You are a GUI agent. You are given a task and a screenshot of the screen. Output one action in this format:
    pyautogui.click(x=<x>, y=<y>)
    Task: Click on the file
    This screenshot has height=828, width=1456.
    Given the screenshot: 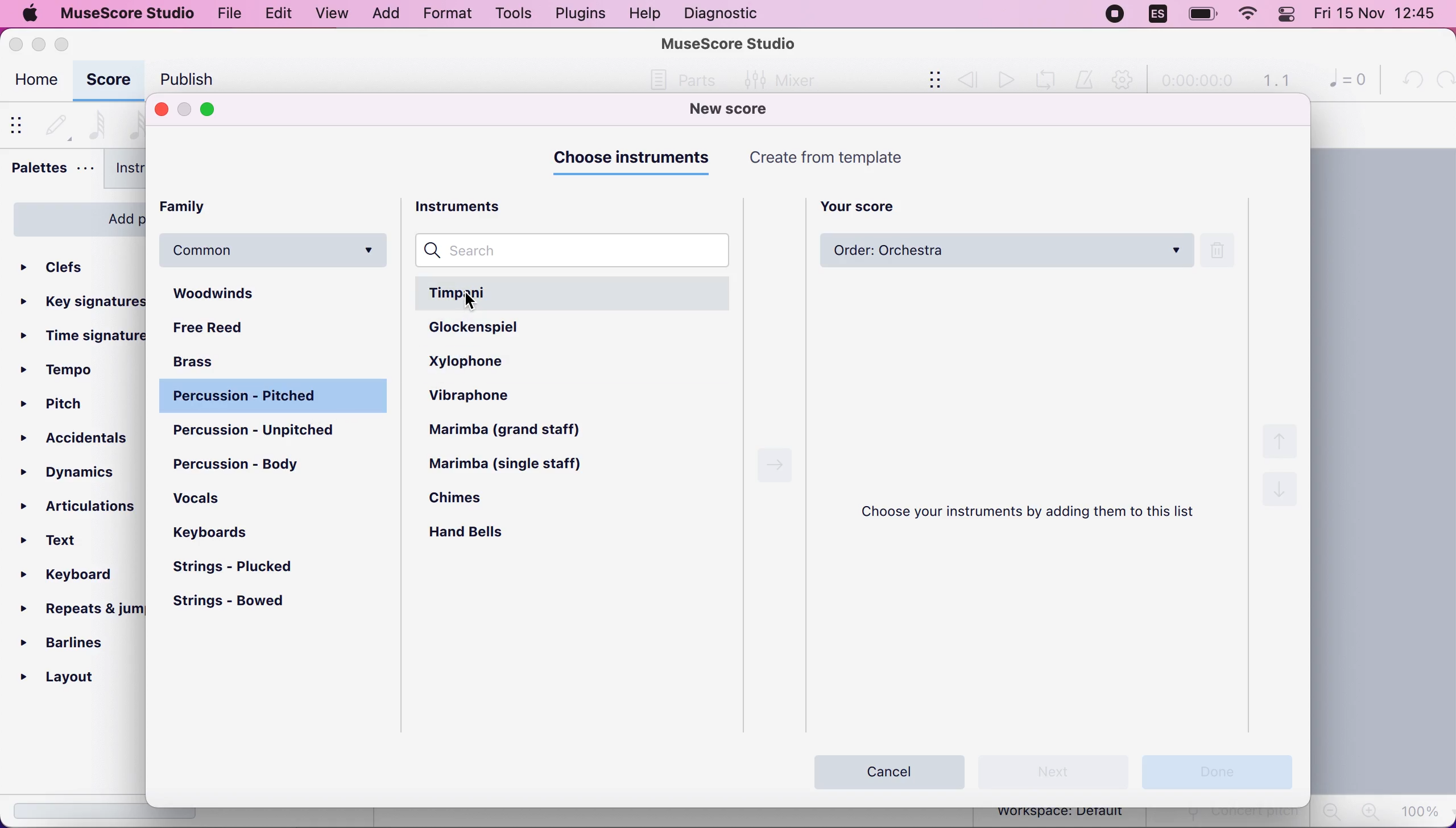 What is the action you would take?
    pyautogui.click(x=230, y=15)
    